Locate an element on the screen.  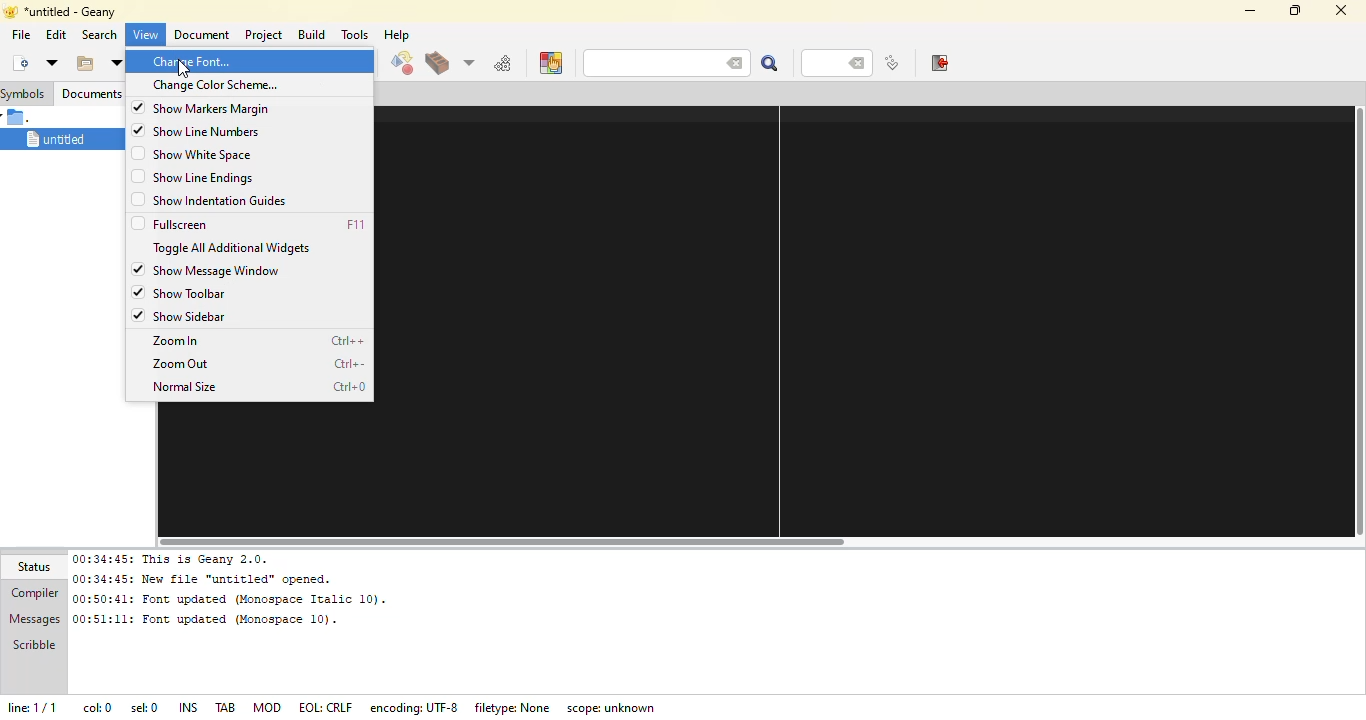
compile is located at coordinates (401, 64).